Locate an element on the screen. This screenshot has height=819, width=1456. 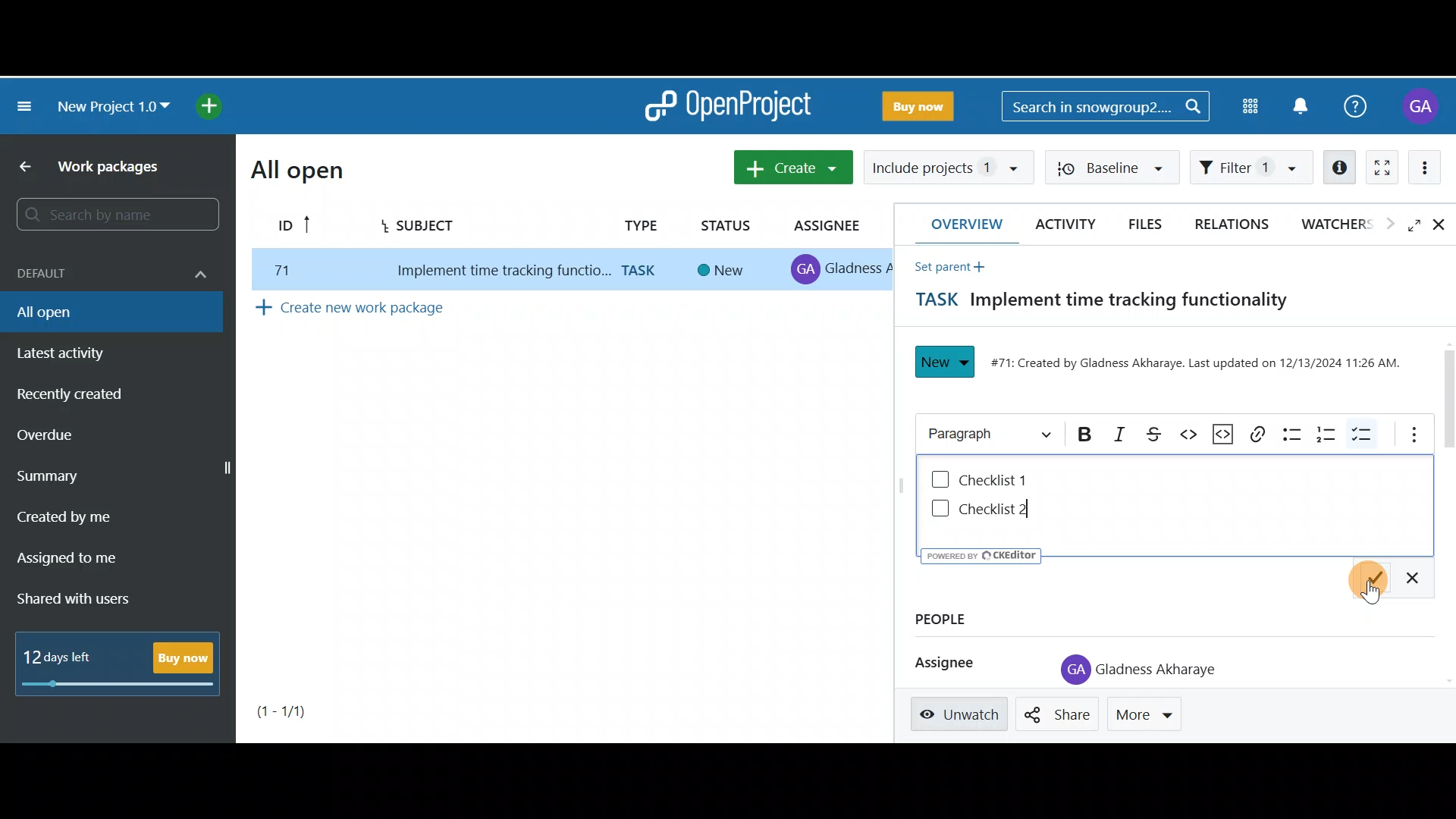
Checklist 2 is located at coordinates (987, 510).